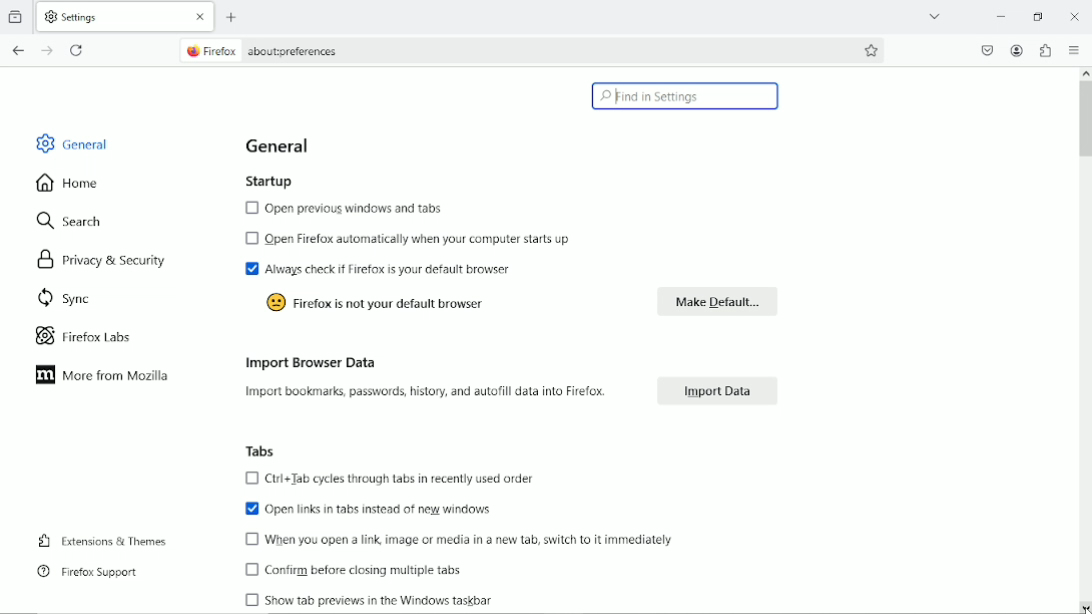 This screenshot has height=614, width=1092. What do you see at coordinates (409, 241) in the screenshot?
I see `Open firefox automatically when your computer starts up` at bounding box center [409, 241].